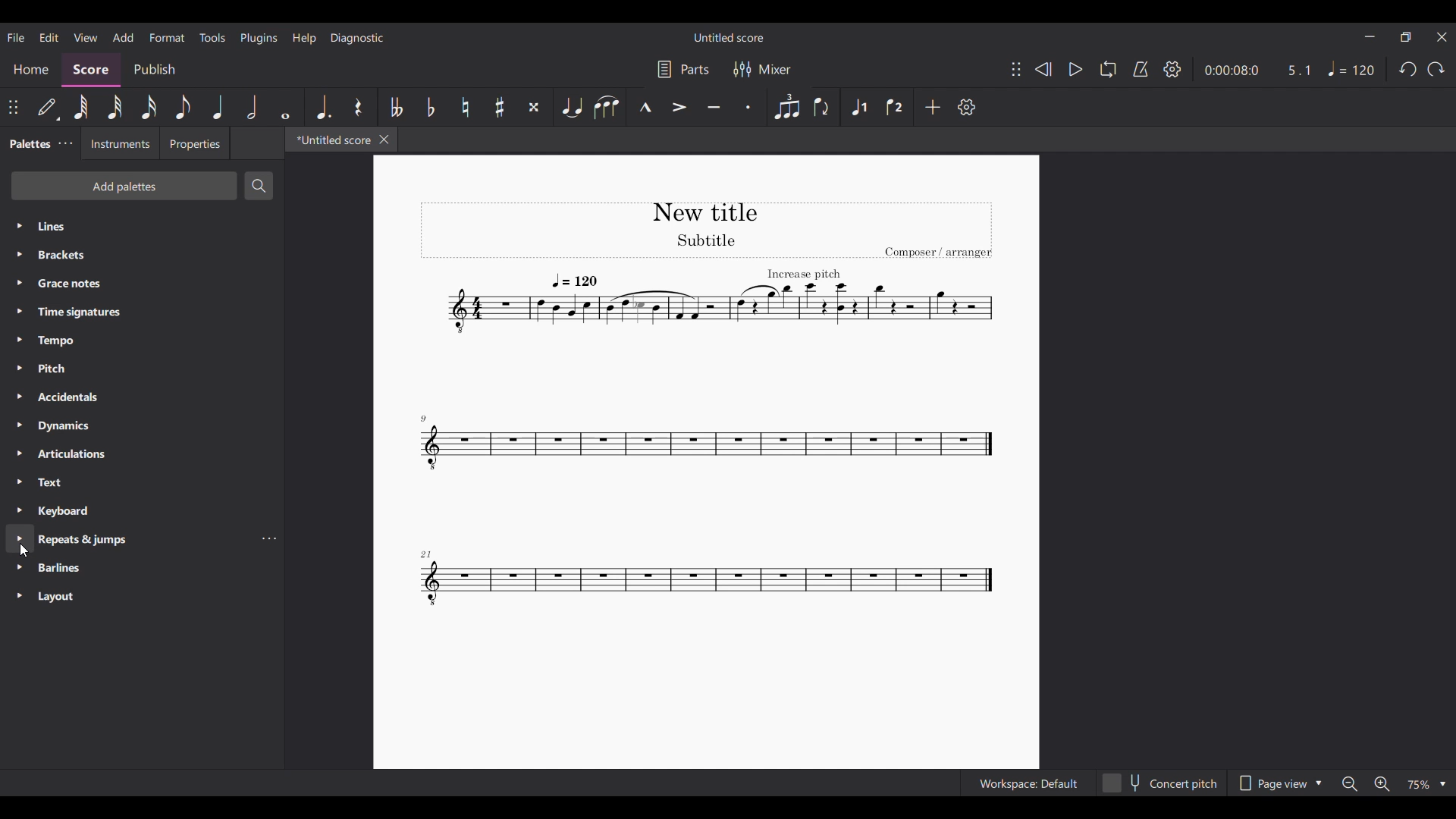  What do you see at coordinates (124, 37) in the screenshot?
I see `Add menu` at bounding box center [124, 37].